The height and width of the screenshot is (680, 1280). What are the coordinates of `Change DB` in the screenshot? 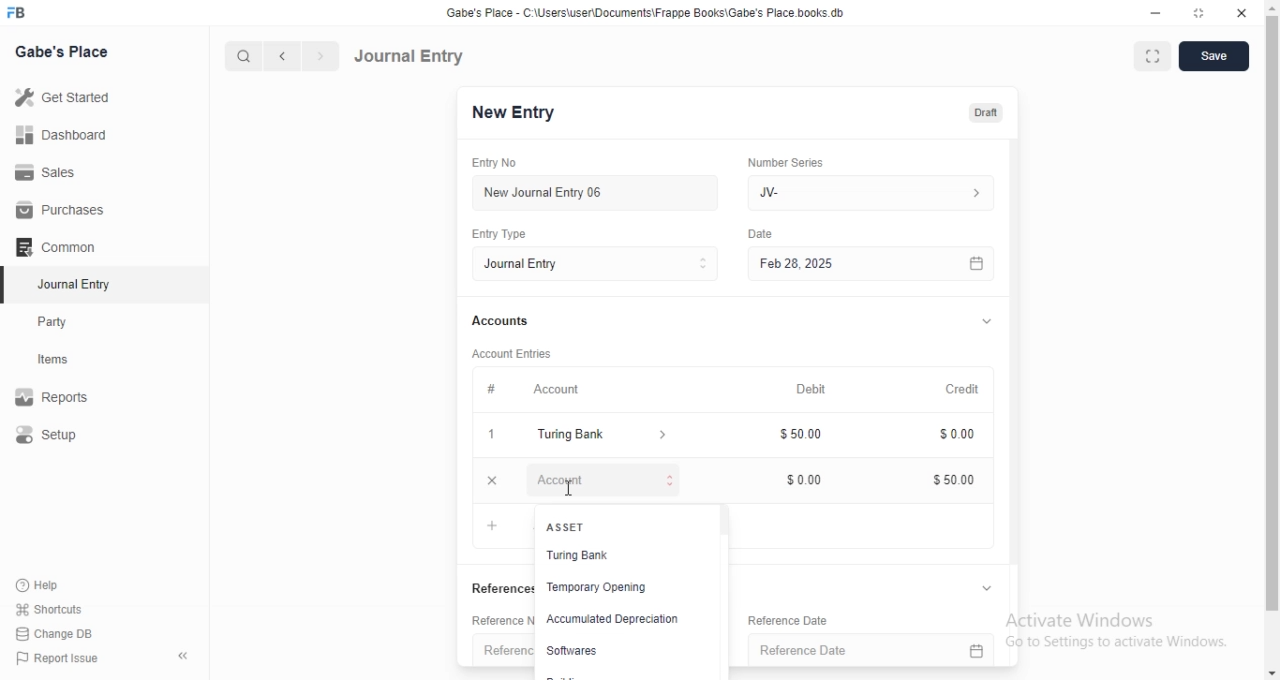 It's located at (60, 633).